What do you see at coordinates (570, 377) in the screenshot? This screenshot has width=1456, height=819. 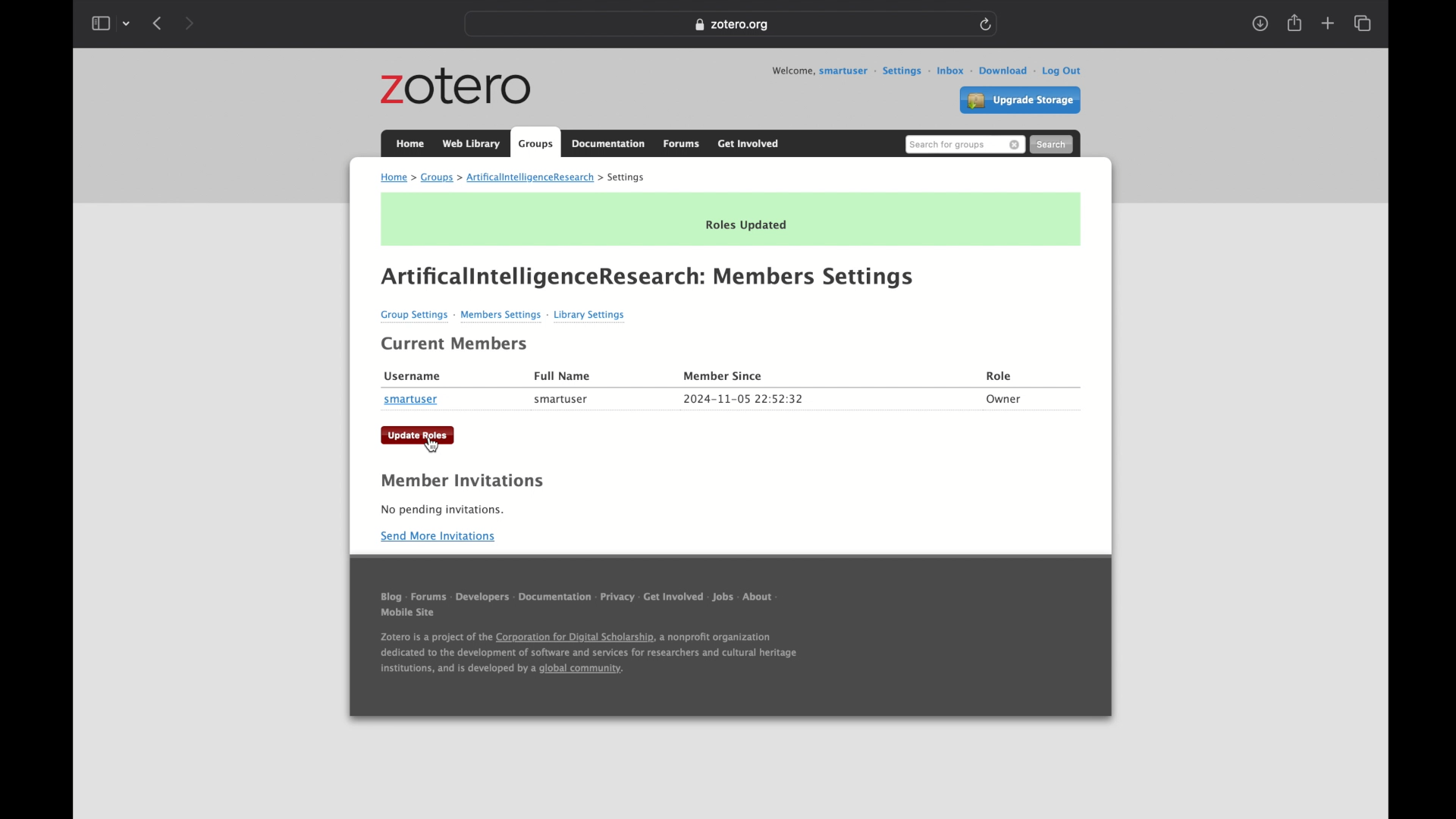 I see `Full Name` at bounding box center [570, 377].